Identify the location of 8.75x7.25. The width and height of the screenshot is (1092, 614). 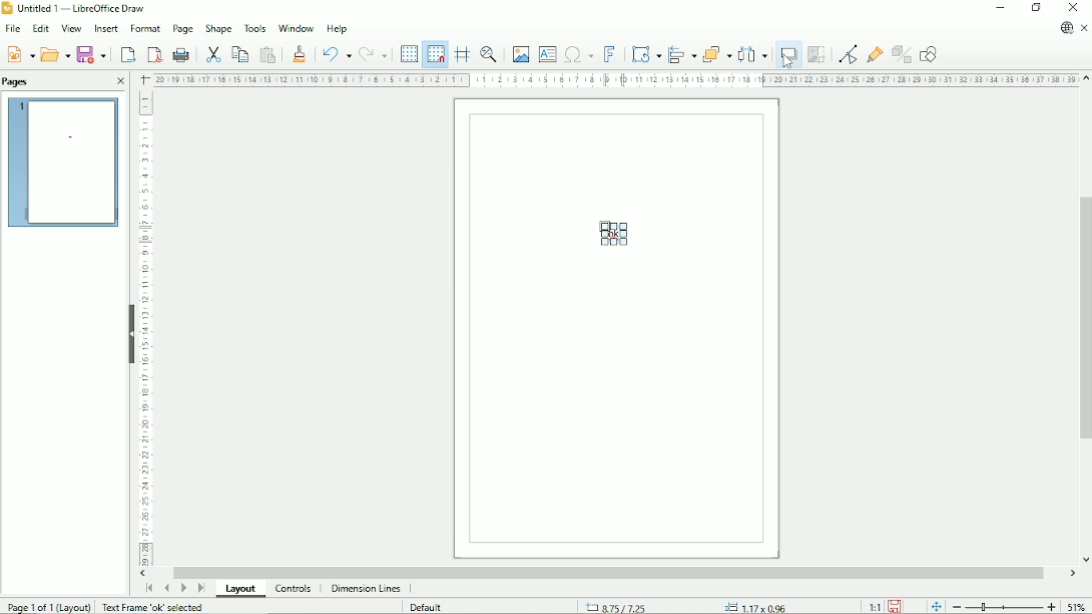
(617, 606).